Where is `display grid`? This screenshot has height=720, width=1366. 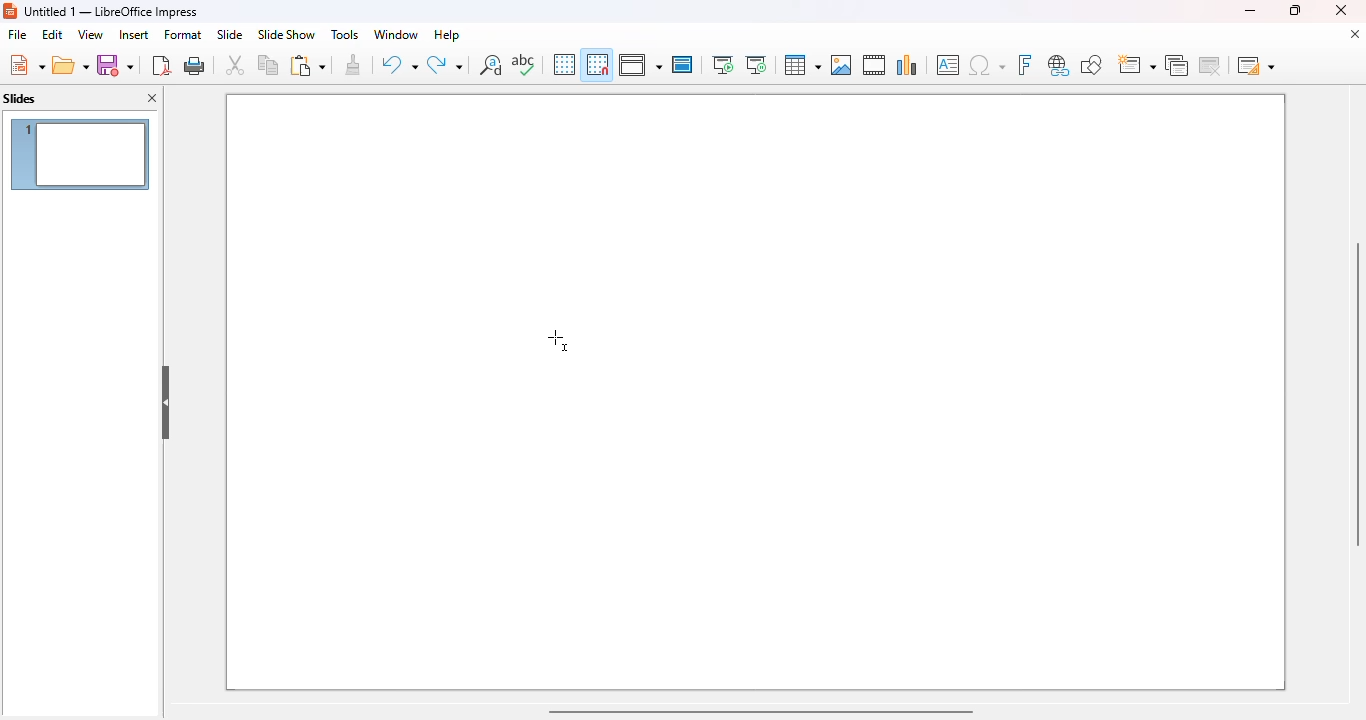
display grid is located at coordinates (563, 64).